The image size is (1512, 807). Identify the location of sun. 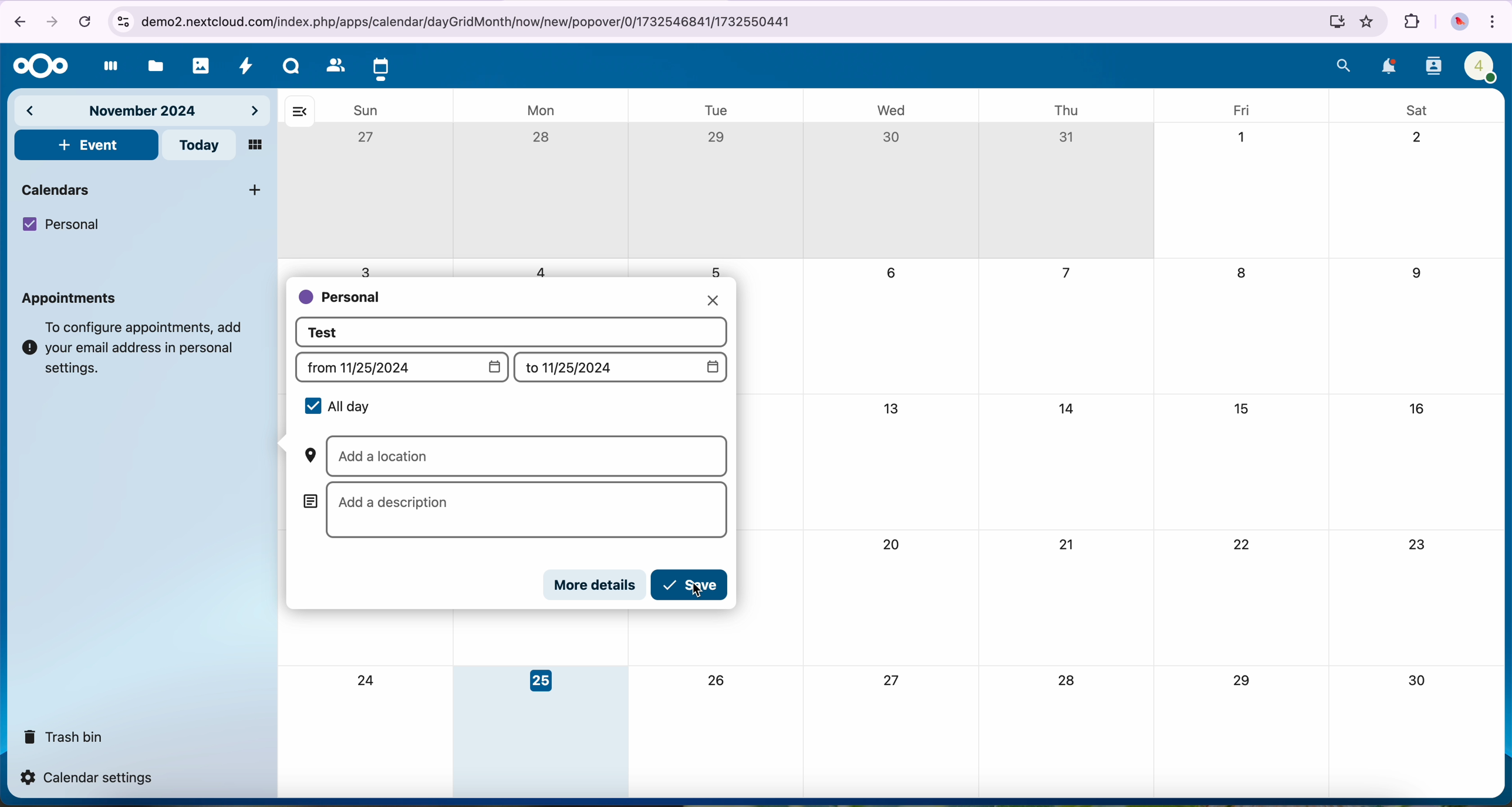
(366, 110).